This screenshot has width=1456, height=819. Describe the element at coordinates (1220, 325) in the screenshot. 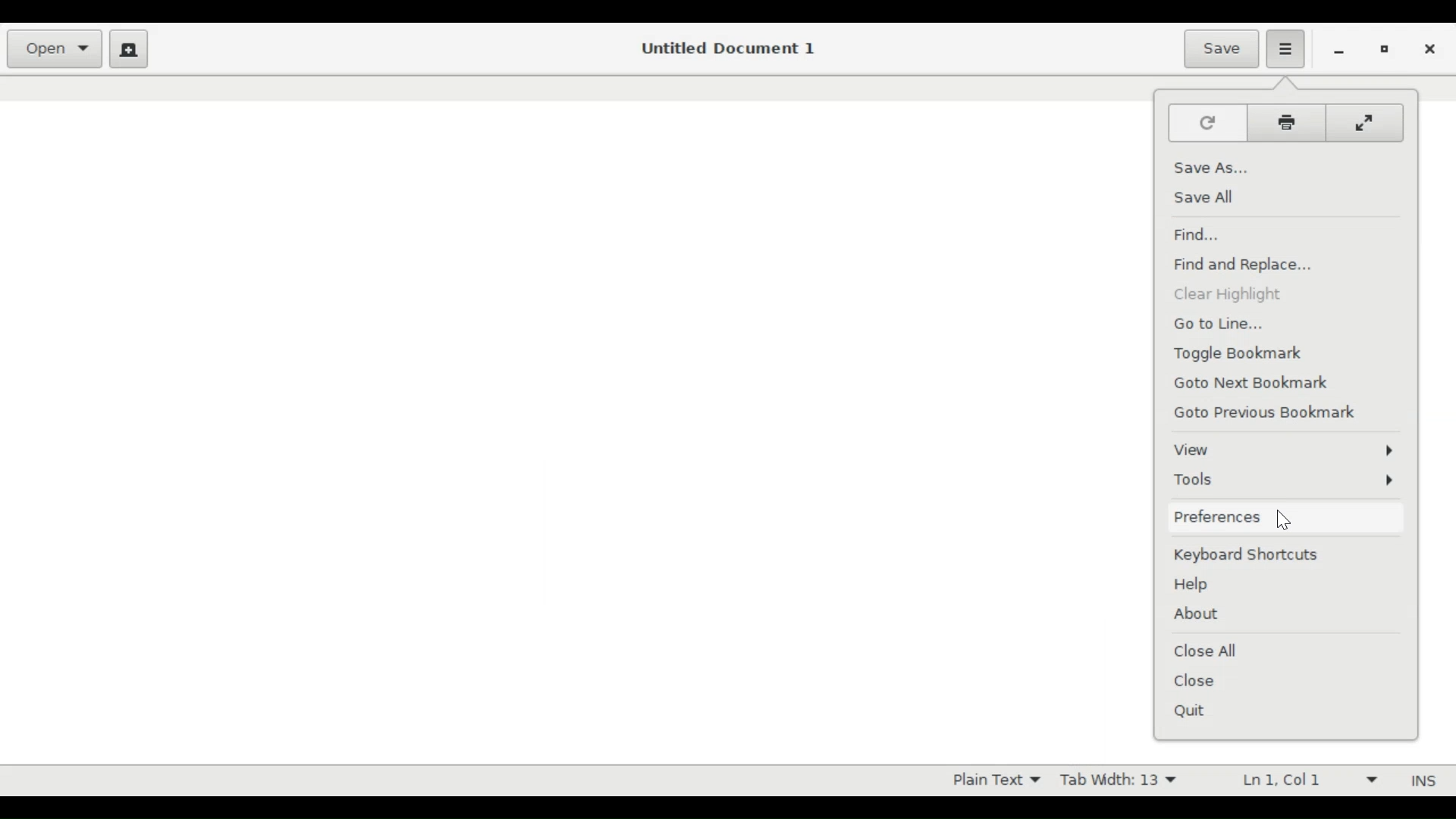

I see `Go to line` at that location.